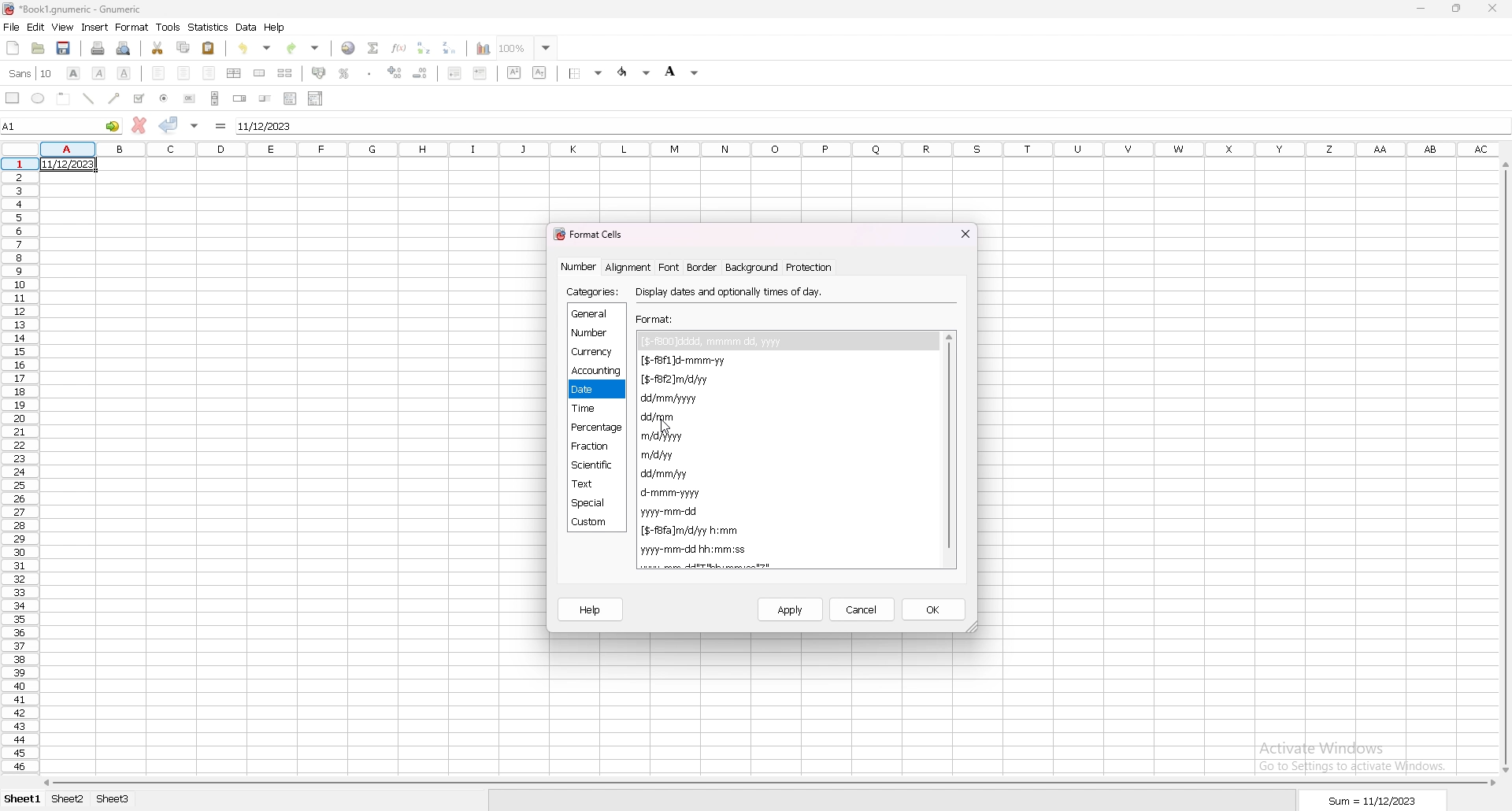 This screenshot has height=811, width=1512. What do you see at coordinates (591, 610) in the screenshot?
I see `help` at bounding box center [591, 610].